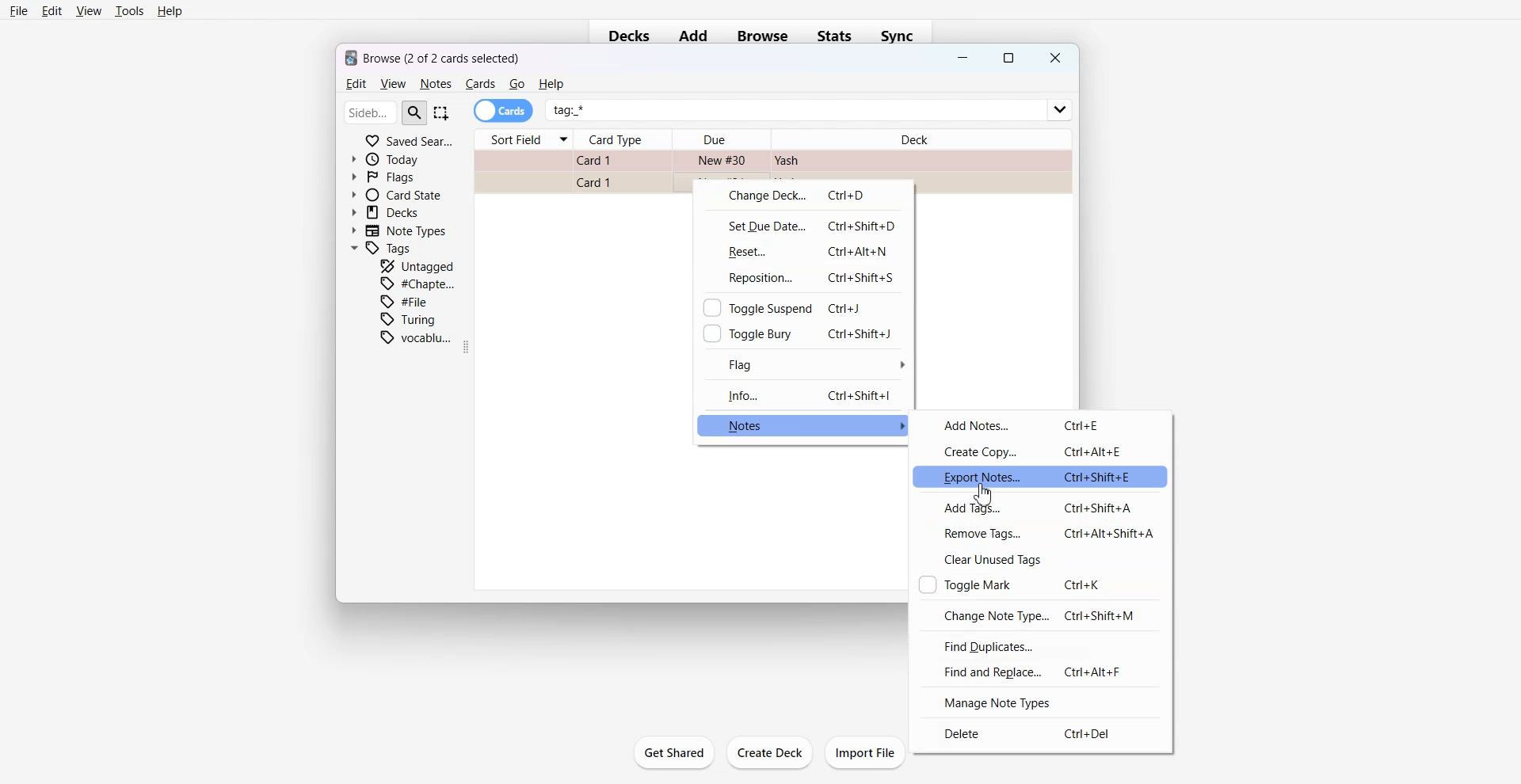  I want to click on Vocabulary, so click(416, 337).